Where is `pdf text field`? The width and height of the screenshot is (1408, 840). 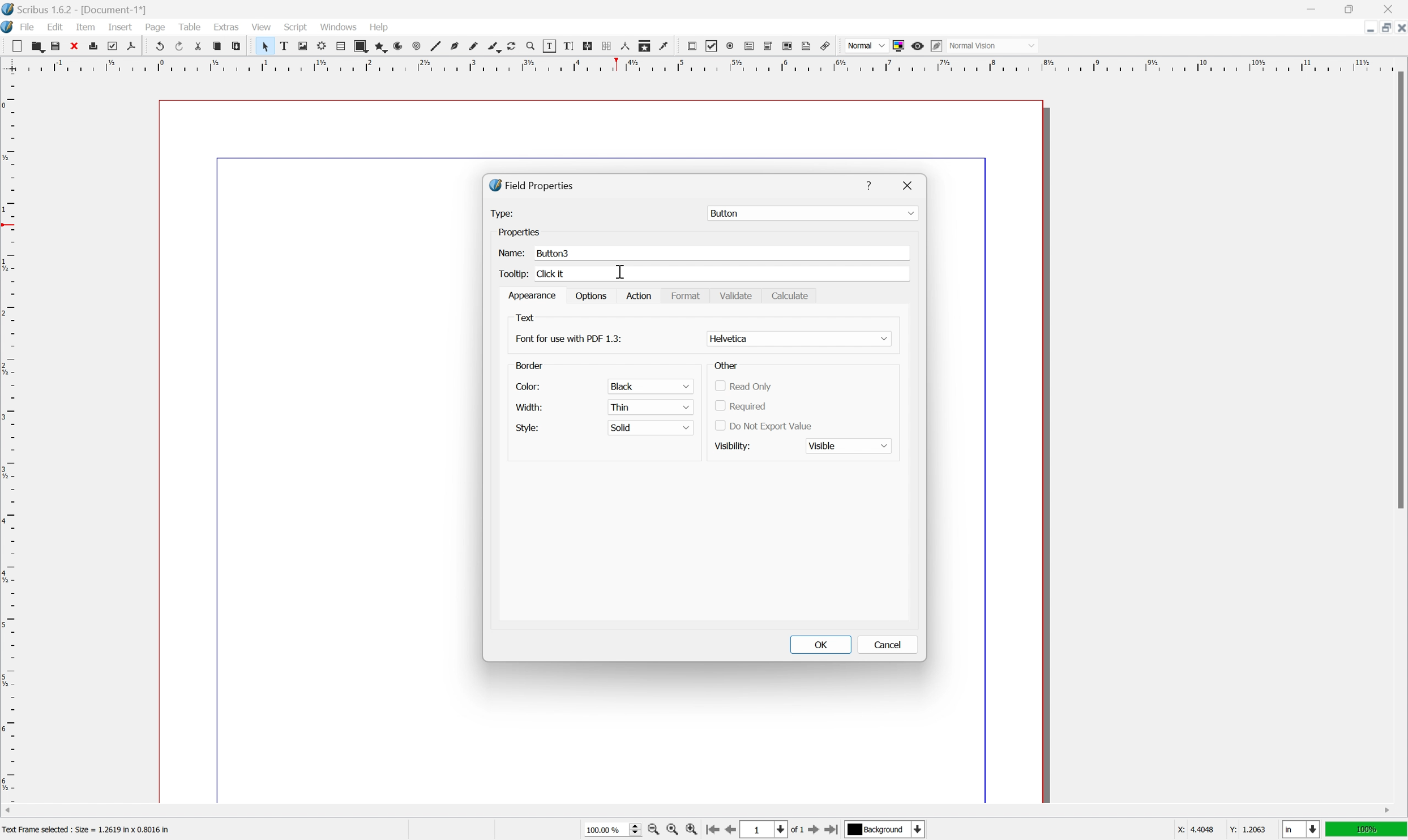
pdf text field is located at coordinates (749, 47).